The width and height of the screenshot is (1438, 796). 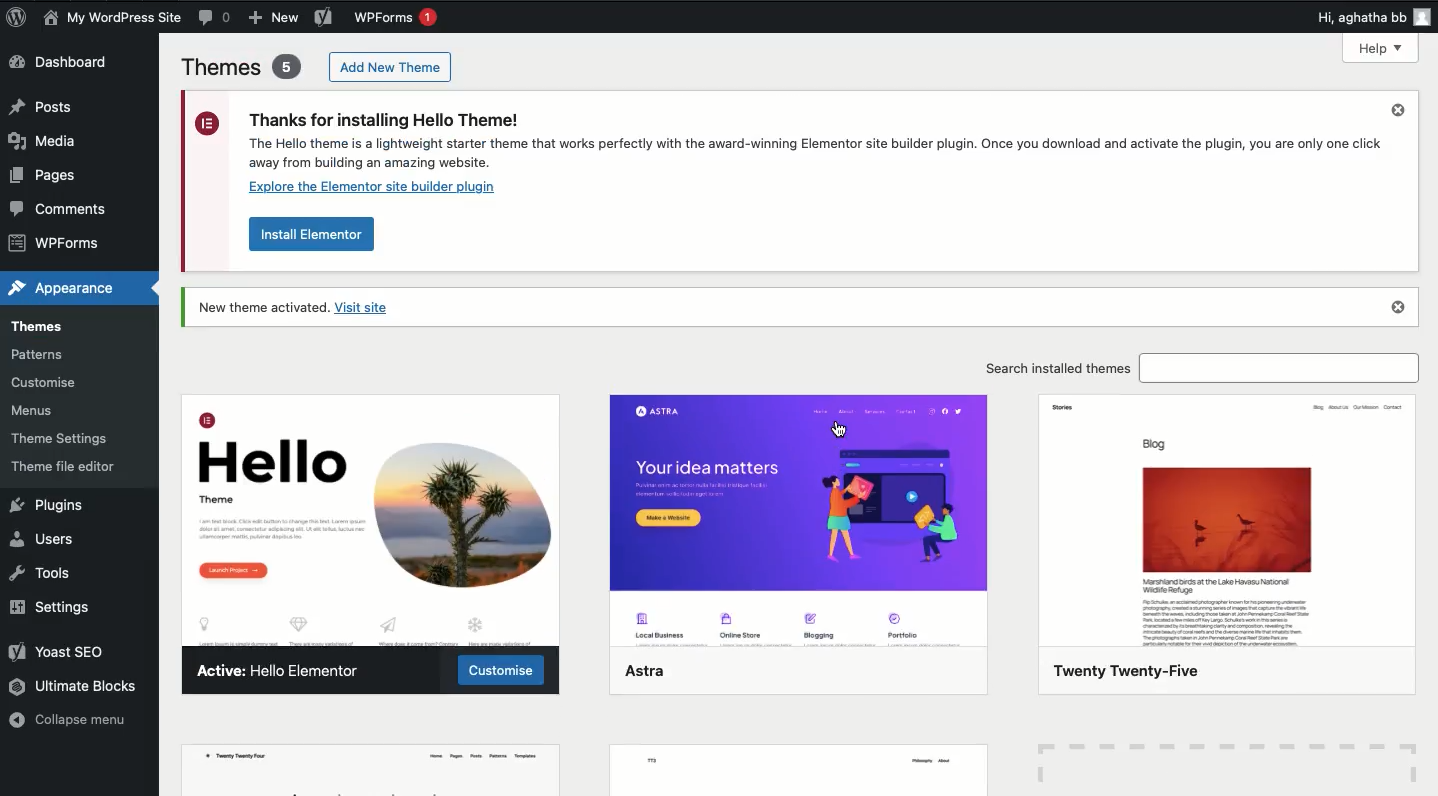 I want to click on Plugins, so click(x=48, y=508).